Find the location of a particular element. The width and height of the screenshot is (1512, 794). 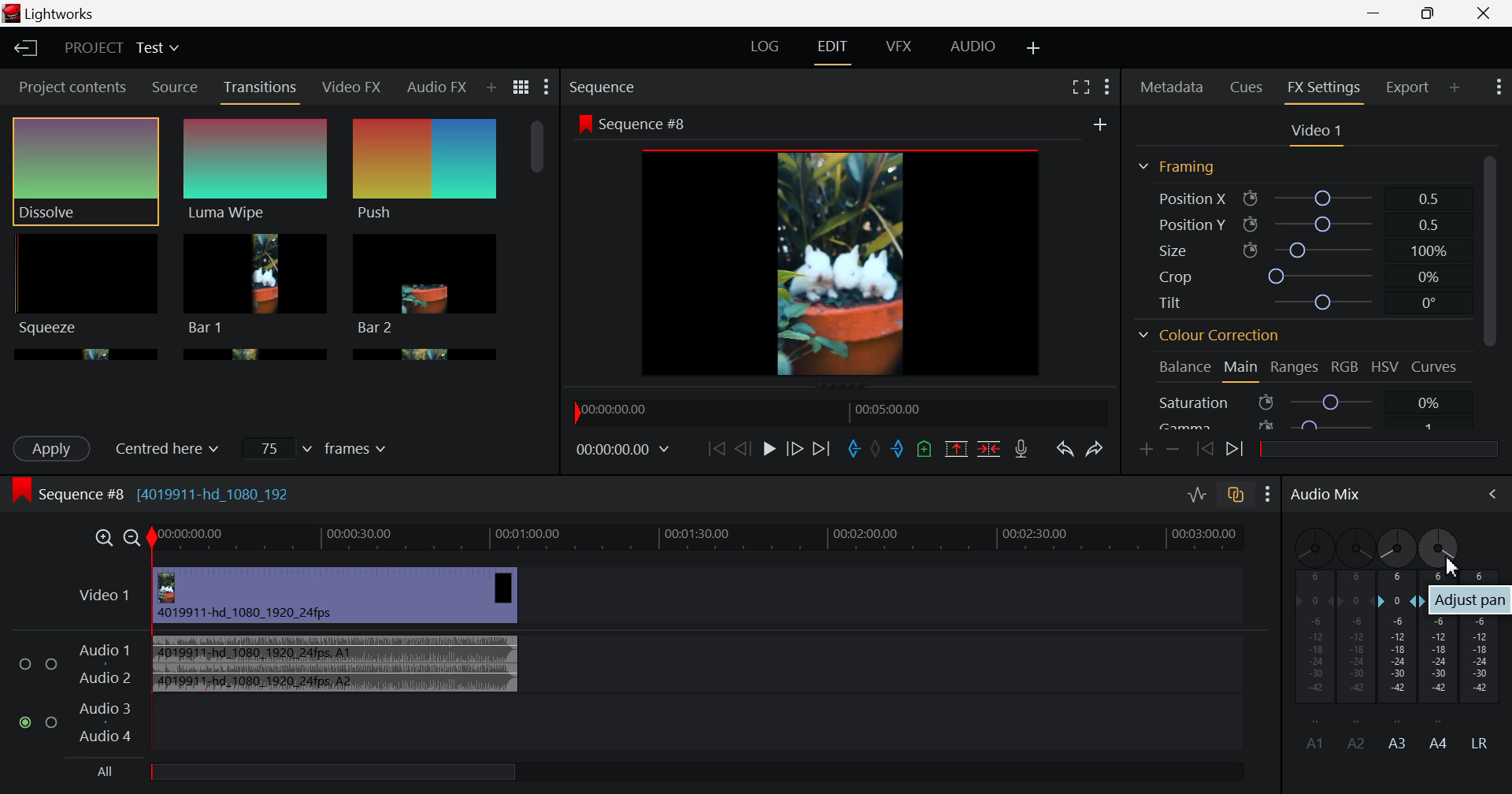

A4 Channel Decibel Level is located at coordinates (1441, 665).